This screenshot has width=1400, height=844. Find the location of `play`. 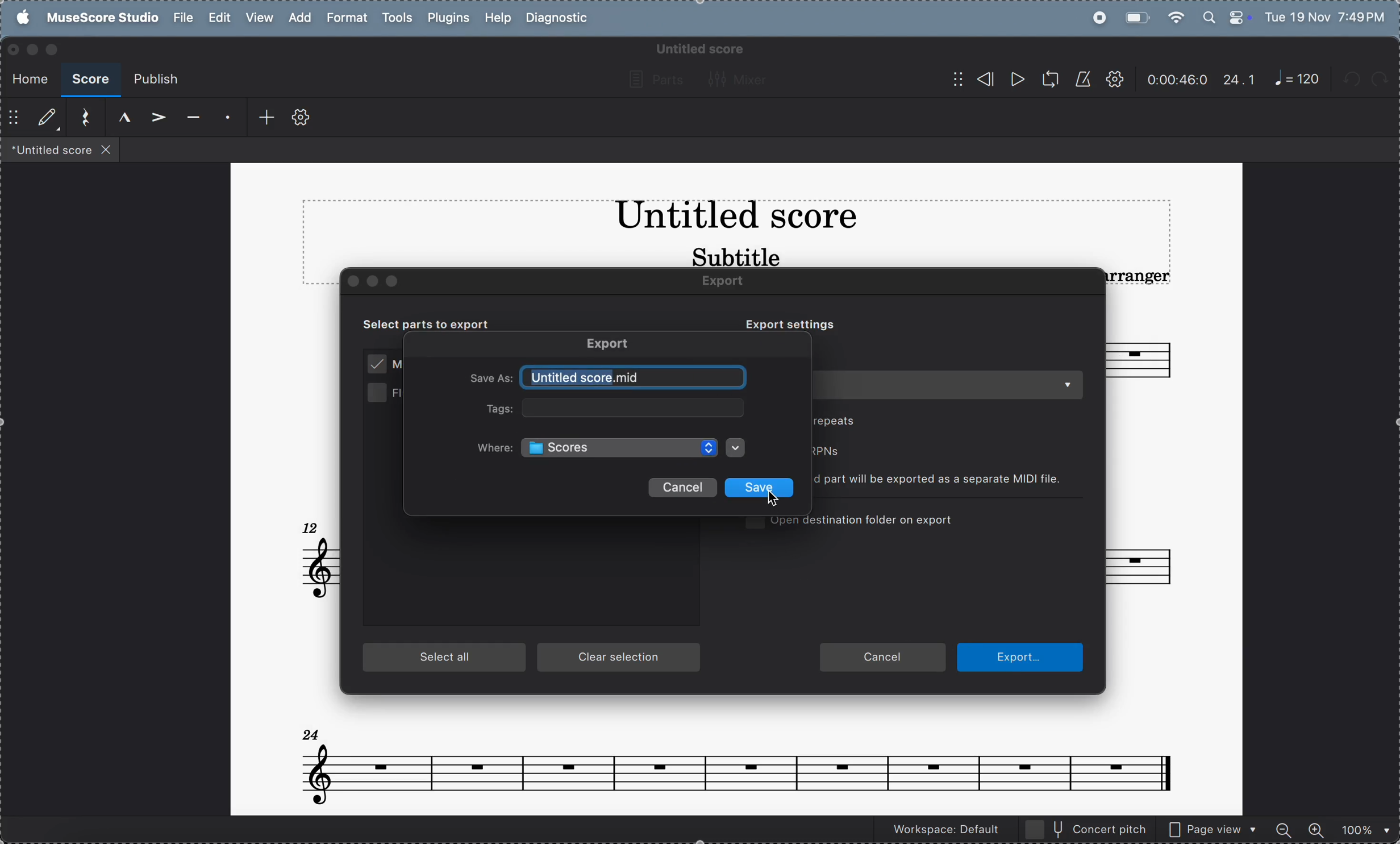

play is located at coordinates (1016, 81).